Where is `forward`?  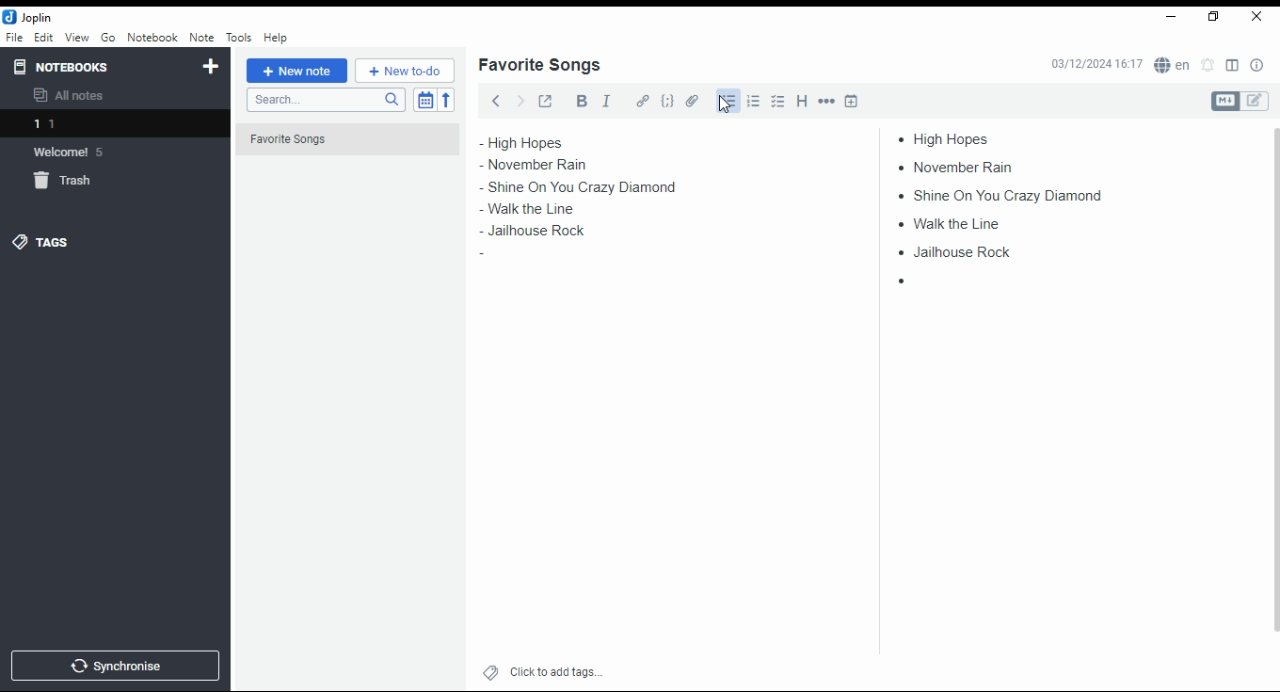
forward is located at coordinates (520, 99).